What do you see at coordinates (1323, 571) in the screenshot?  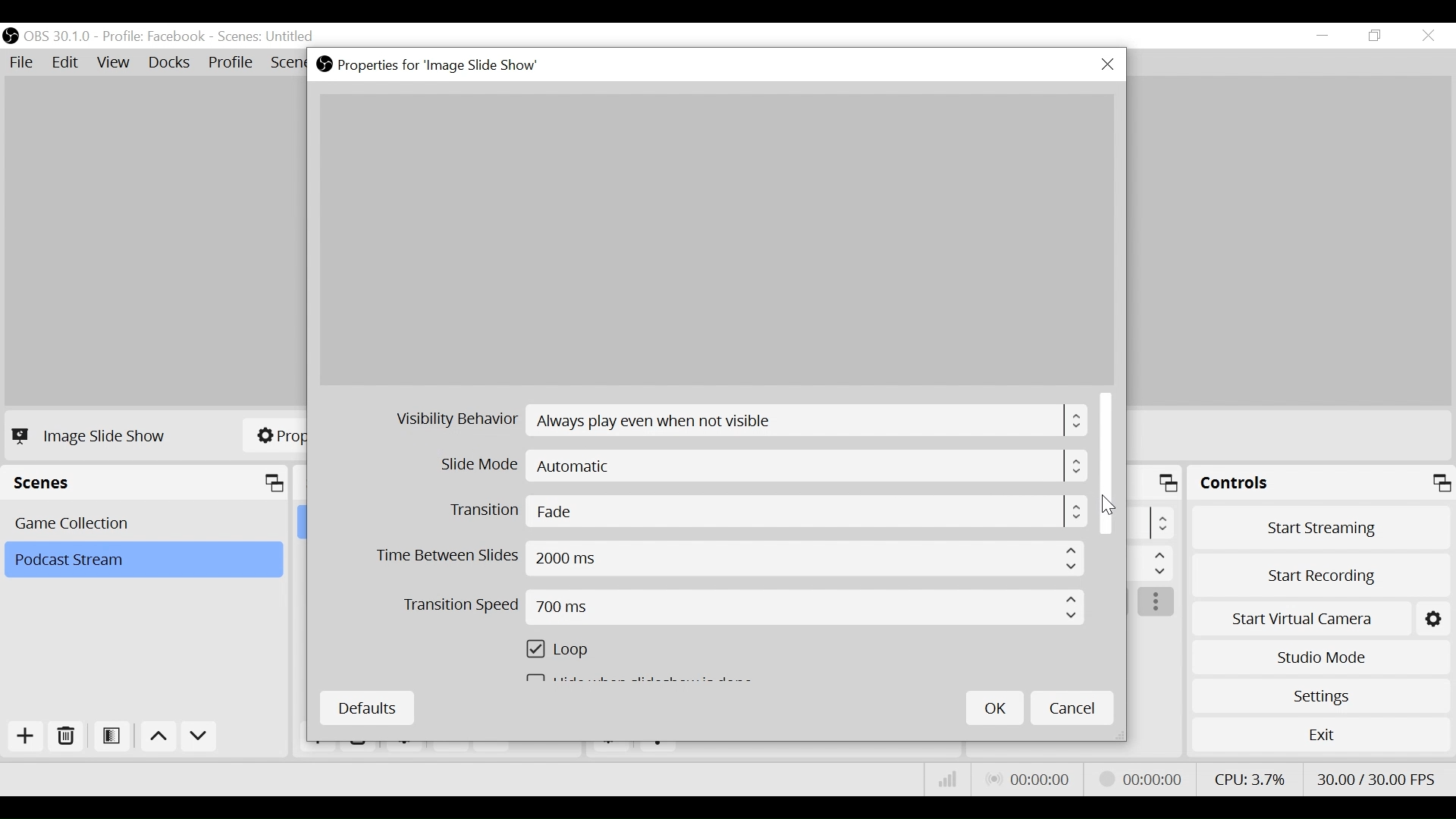 I see `Start Recording` at bounding box center [1323, 571].